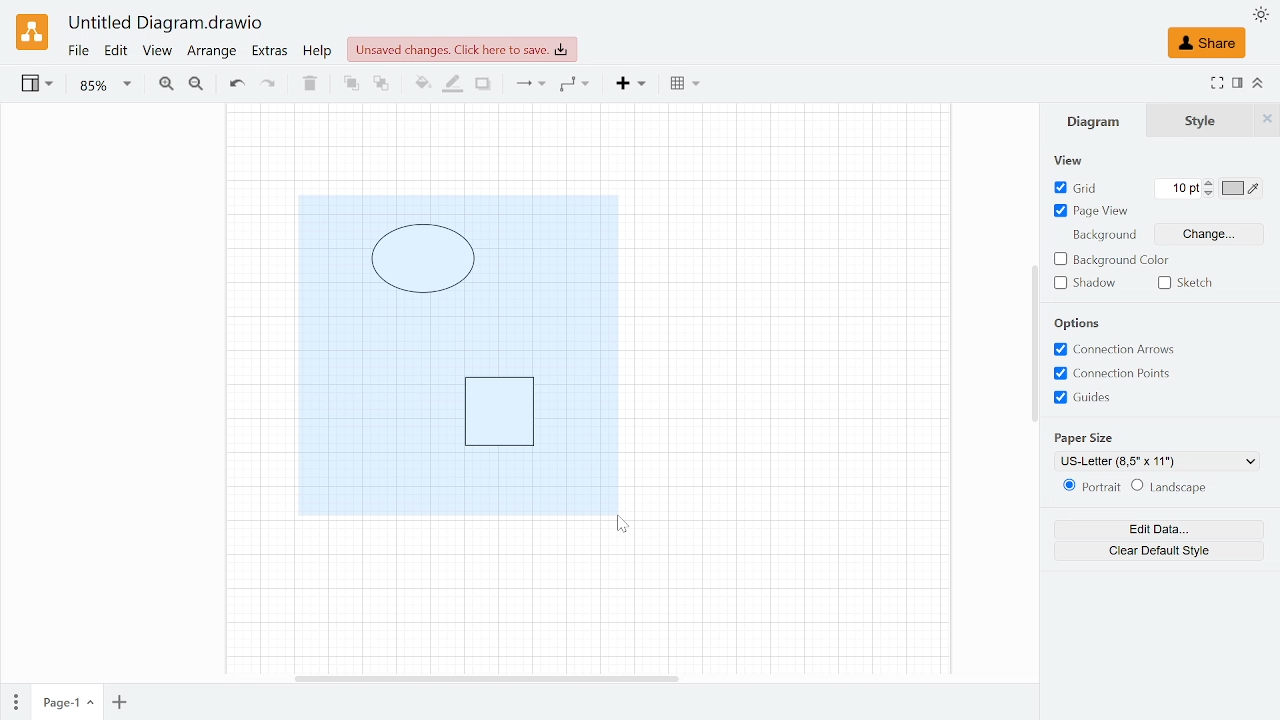 Image resolution: width=1280 pixels, height=720 pixels. Describe the element at coordinates (1078, 323) in the screenshot. I see `Options` at that location.